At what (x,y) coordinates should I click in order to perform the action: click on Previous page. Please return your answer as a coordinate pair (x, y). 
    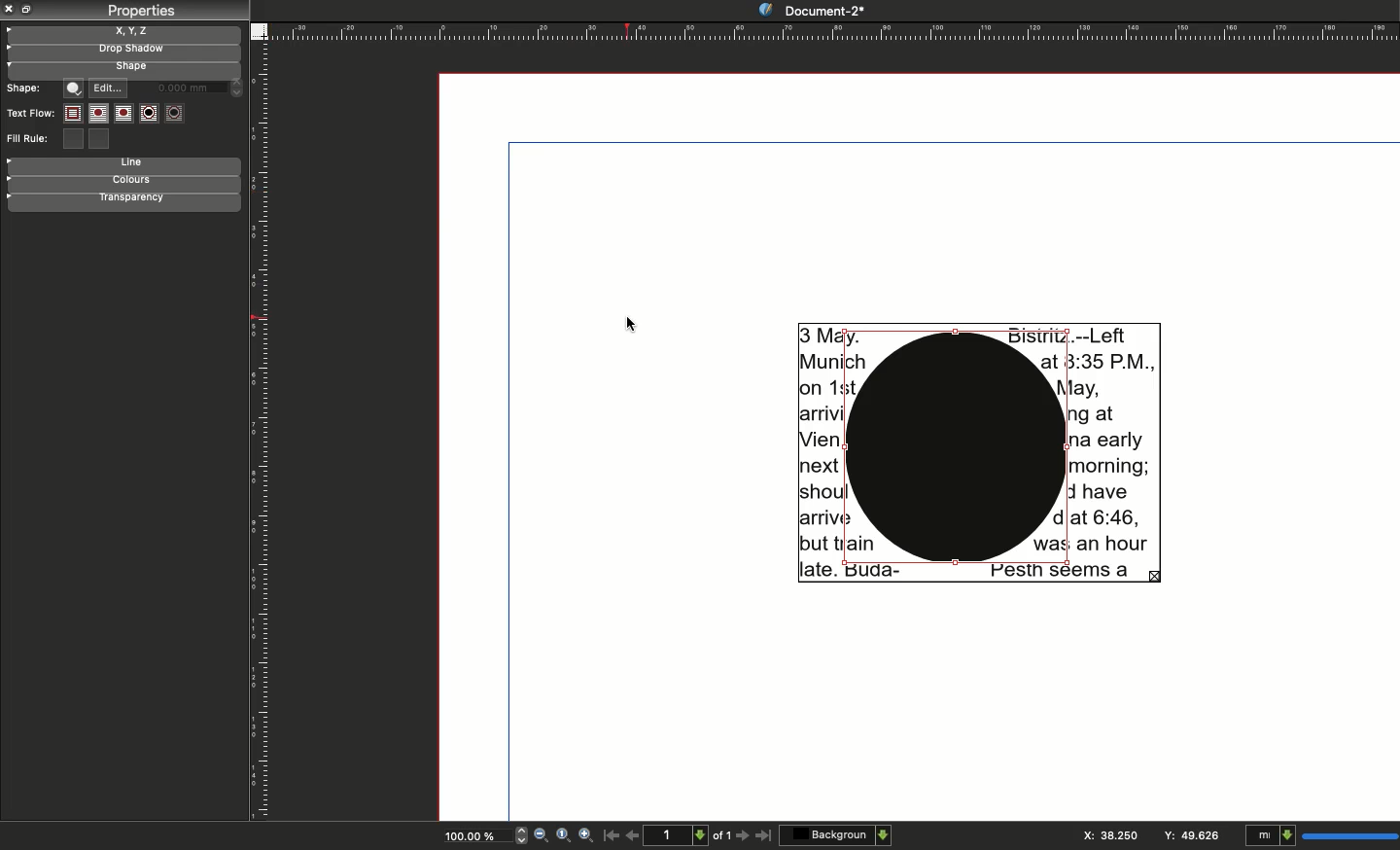
    Looking at the image, I should click on (633, 833).